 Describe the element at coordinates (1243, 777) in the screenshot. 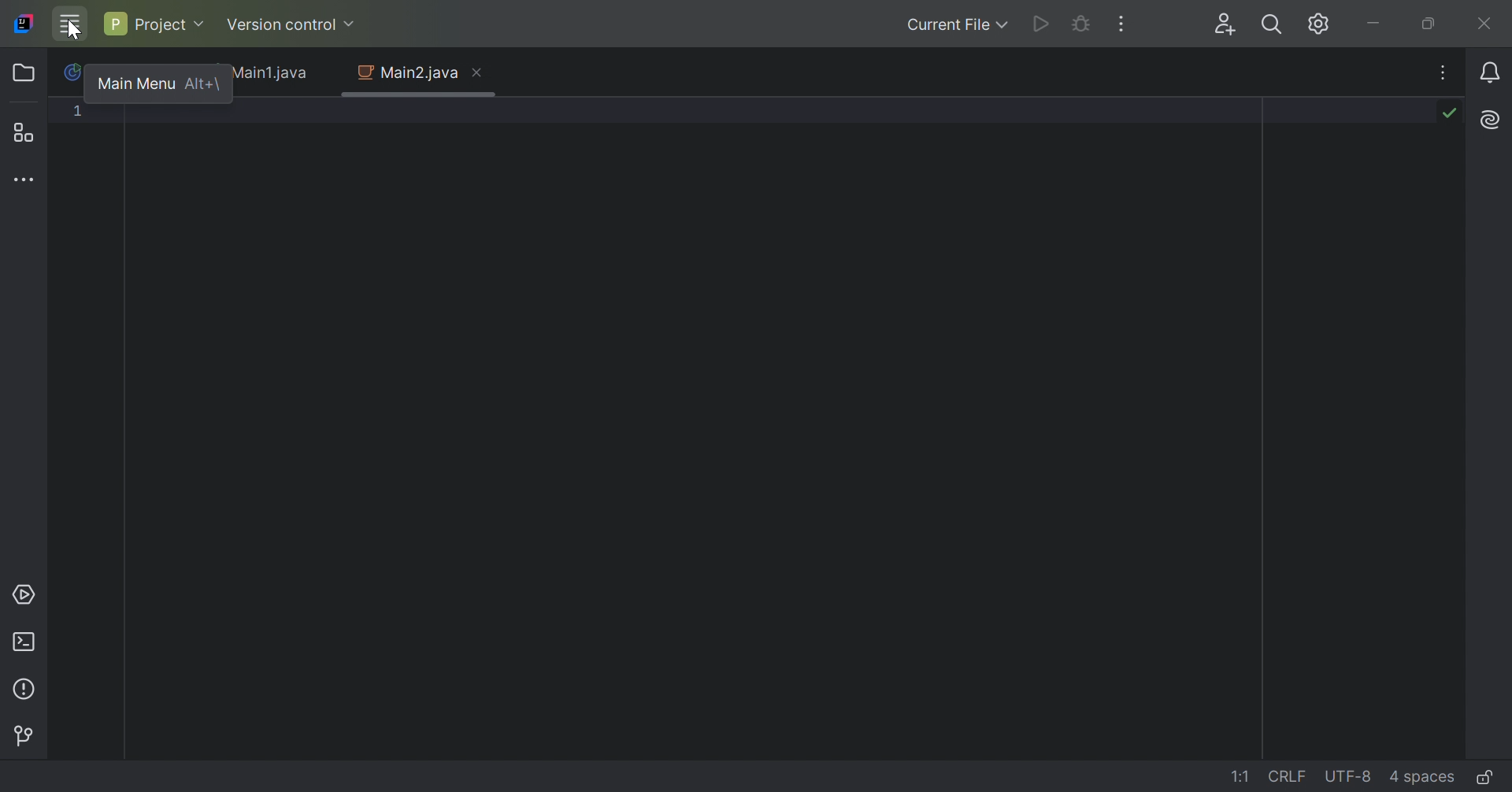

I see `1:1` at that location.